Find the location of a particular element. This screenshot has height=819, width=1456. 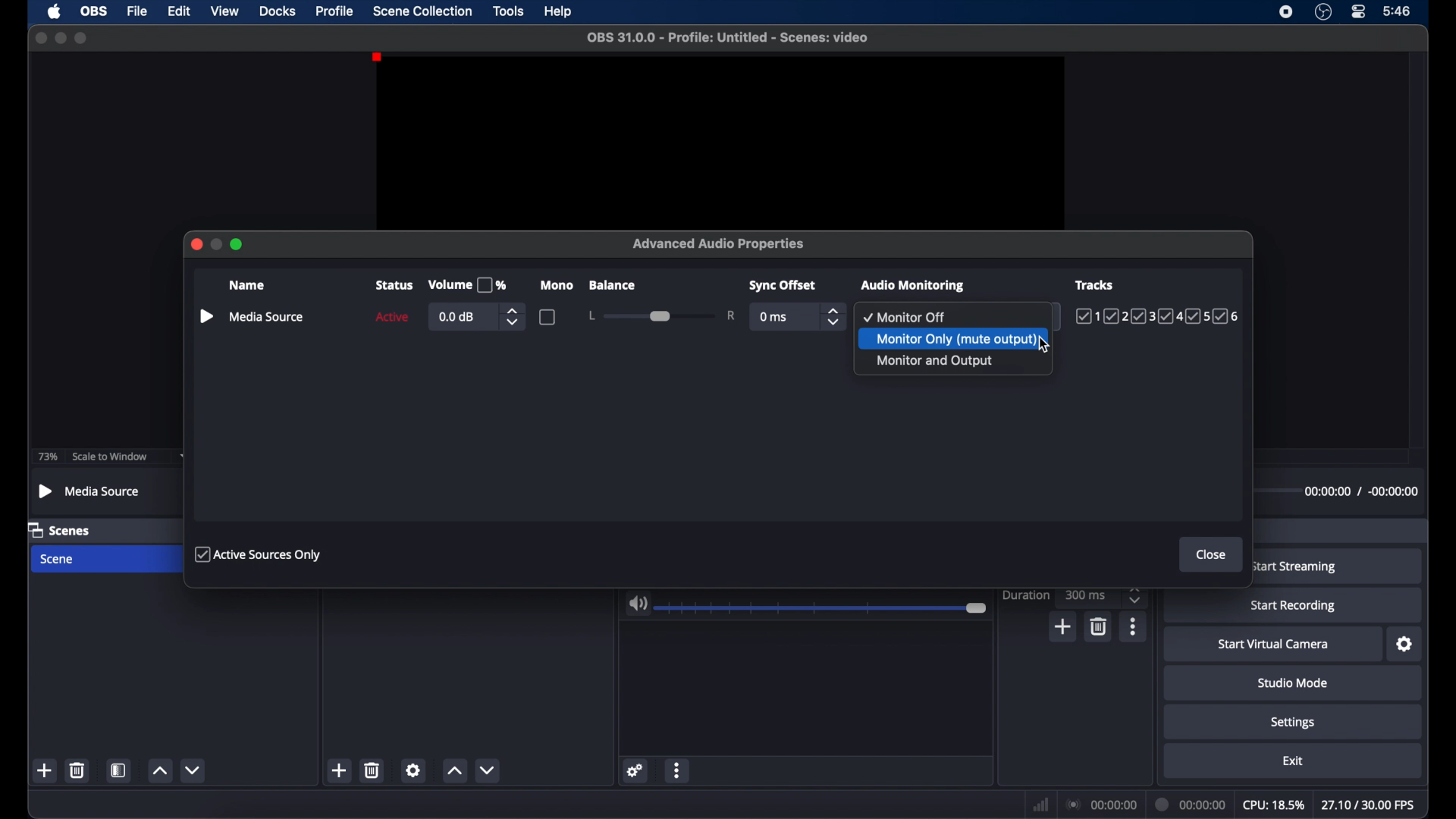

maximize is located at coordinates (238, 244).